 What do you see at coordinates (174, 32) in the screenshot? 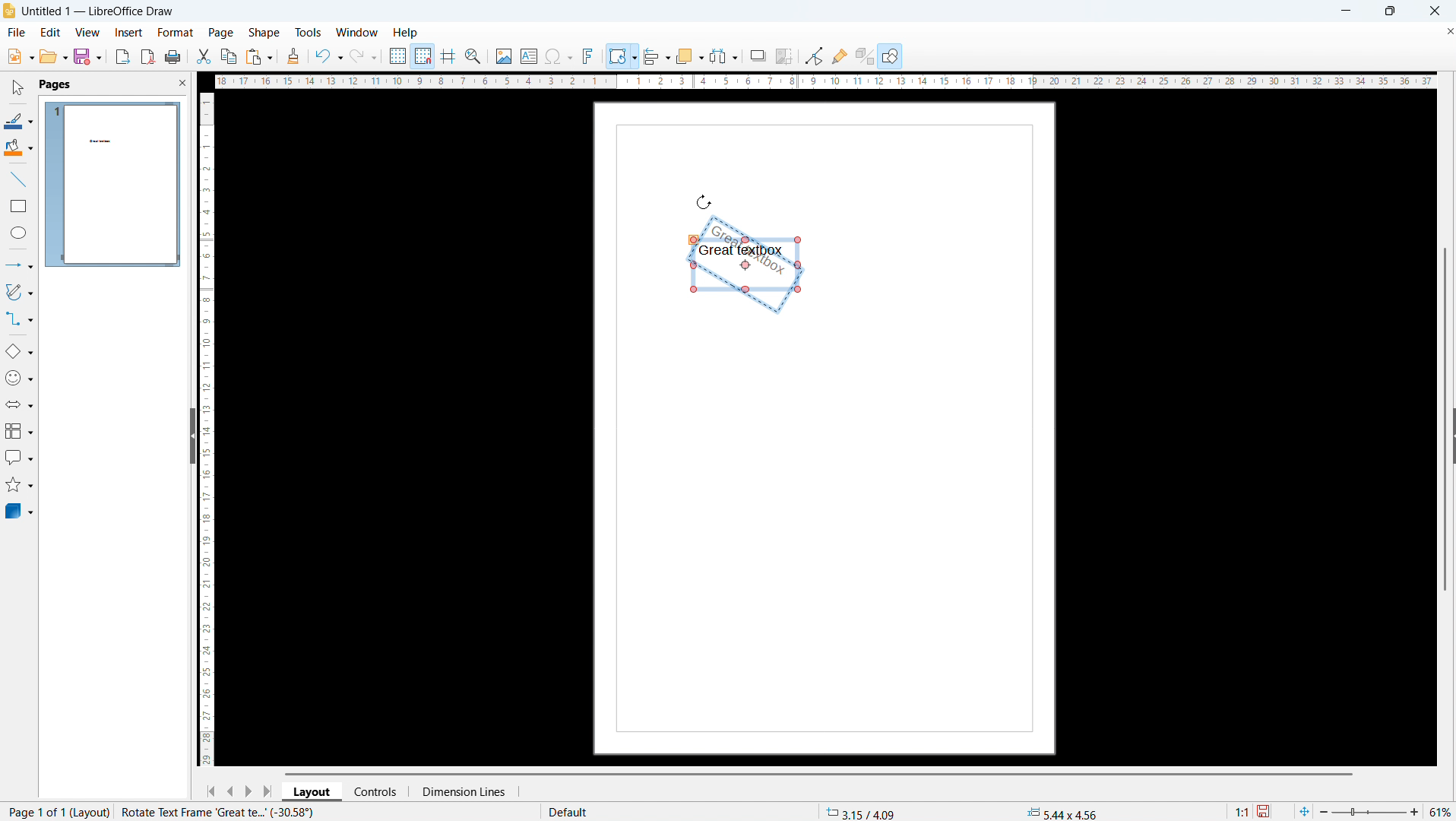
I see `format` at bounding box center [174, 32].